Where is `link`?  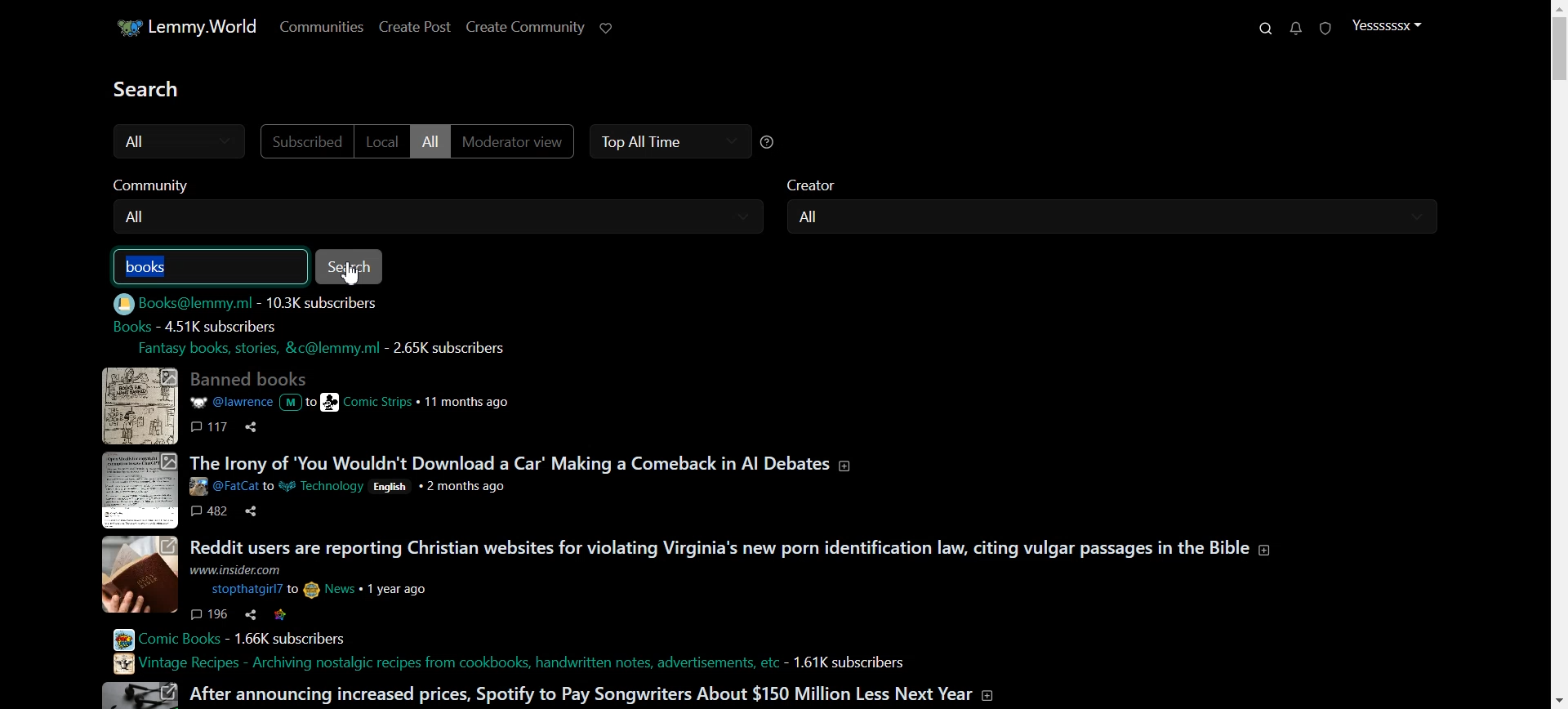
link is located at coordinates (158, 640).